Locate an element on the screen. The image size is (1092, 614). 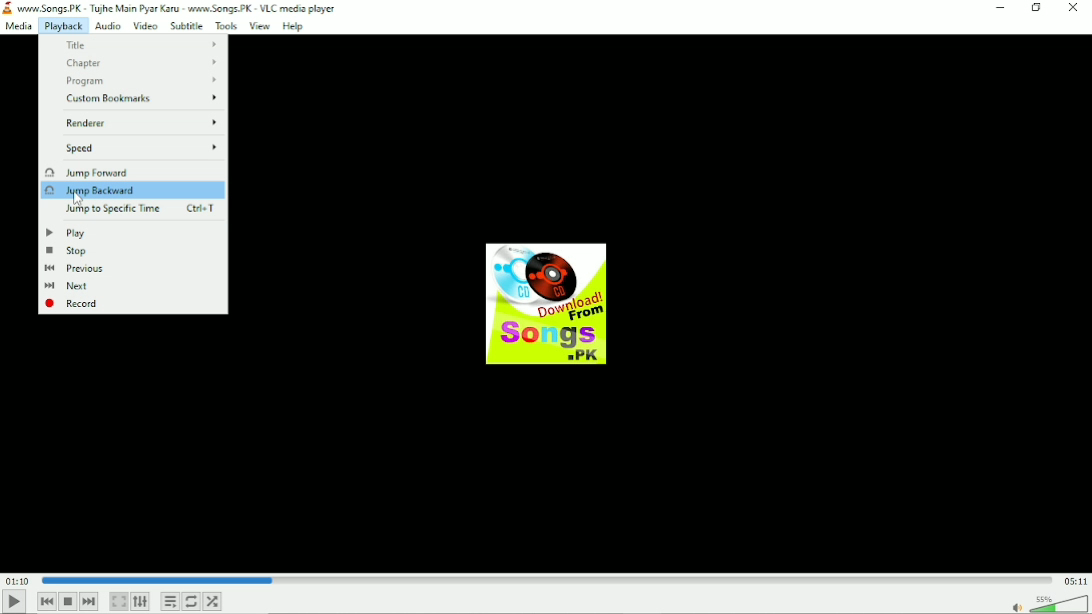
Title is located at coordinates (141, 45).